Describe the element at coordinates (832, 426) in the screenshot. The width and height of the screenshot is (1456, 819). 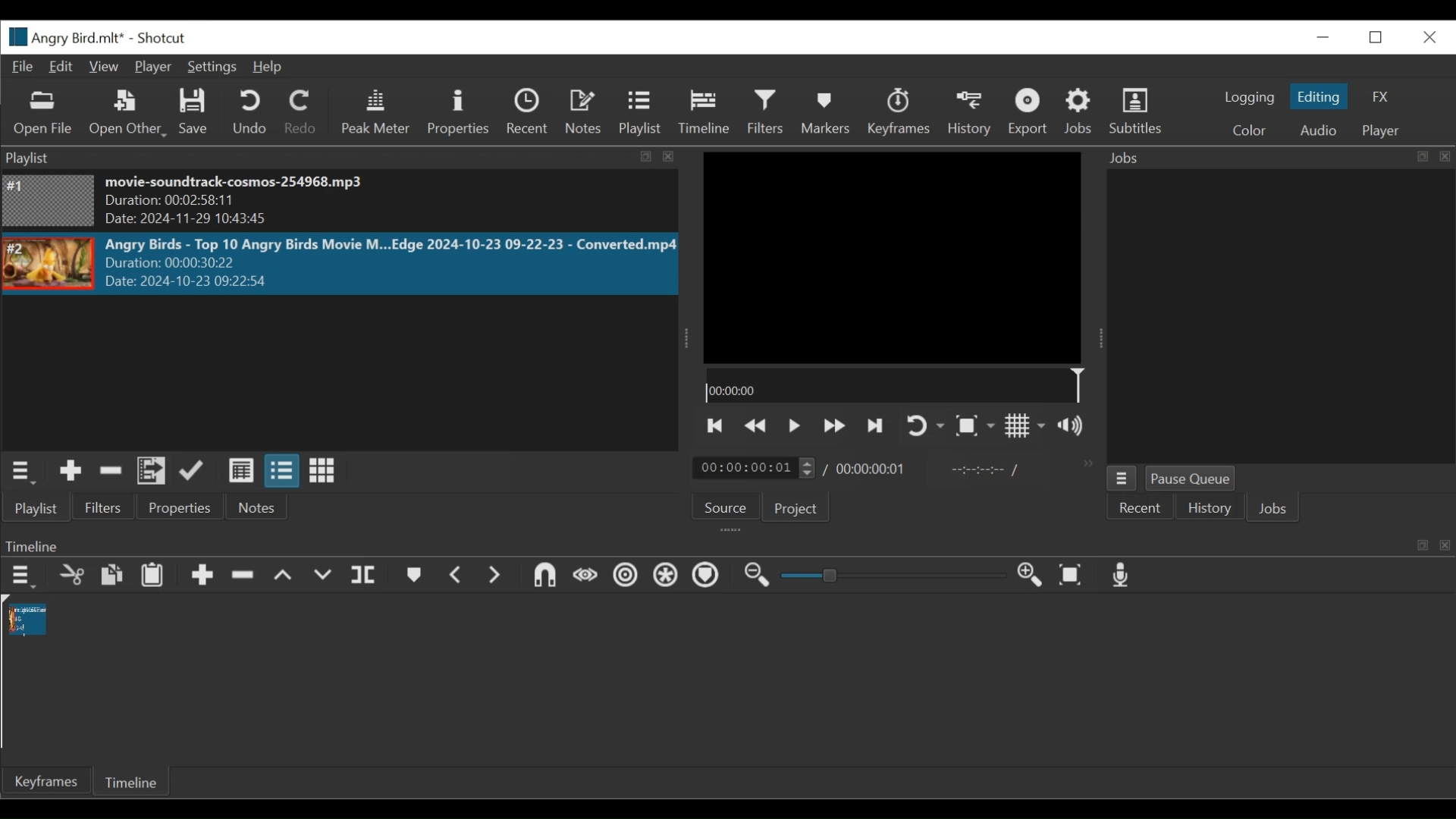
I see `Play quickly forward` at that location.